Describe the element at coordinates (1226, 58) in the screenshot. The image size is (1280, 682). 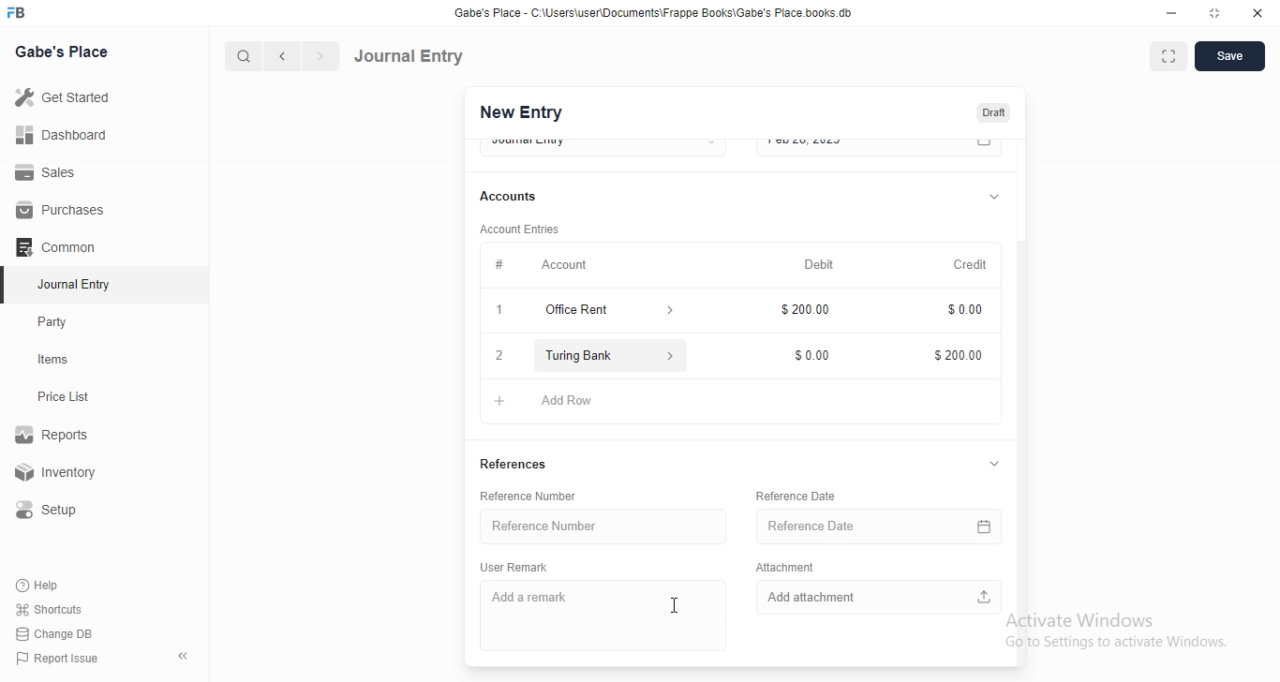
I see `save` at that location.